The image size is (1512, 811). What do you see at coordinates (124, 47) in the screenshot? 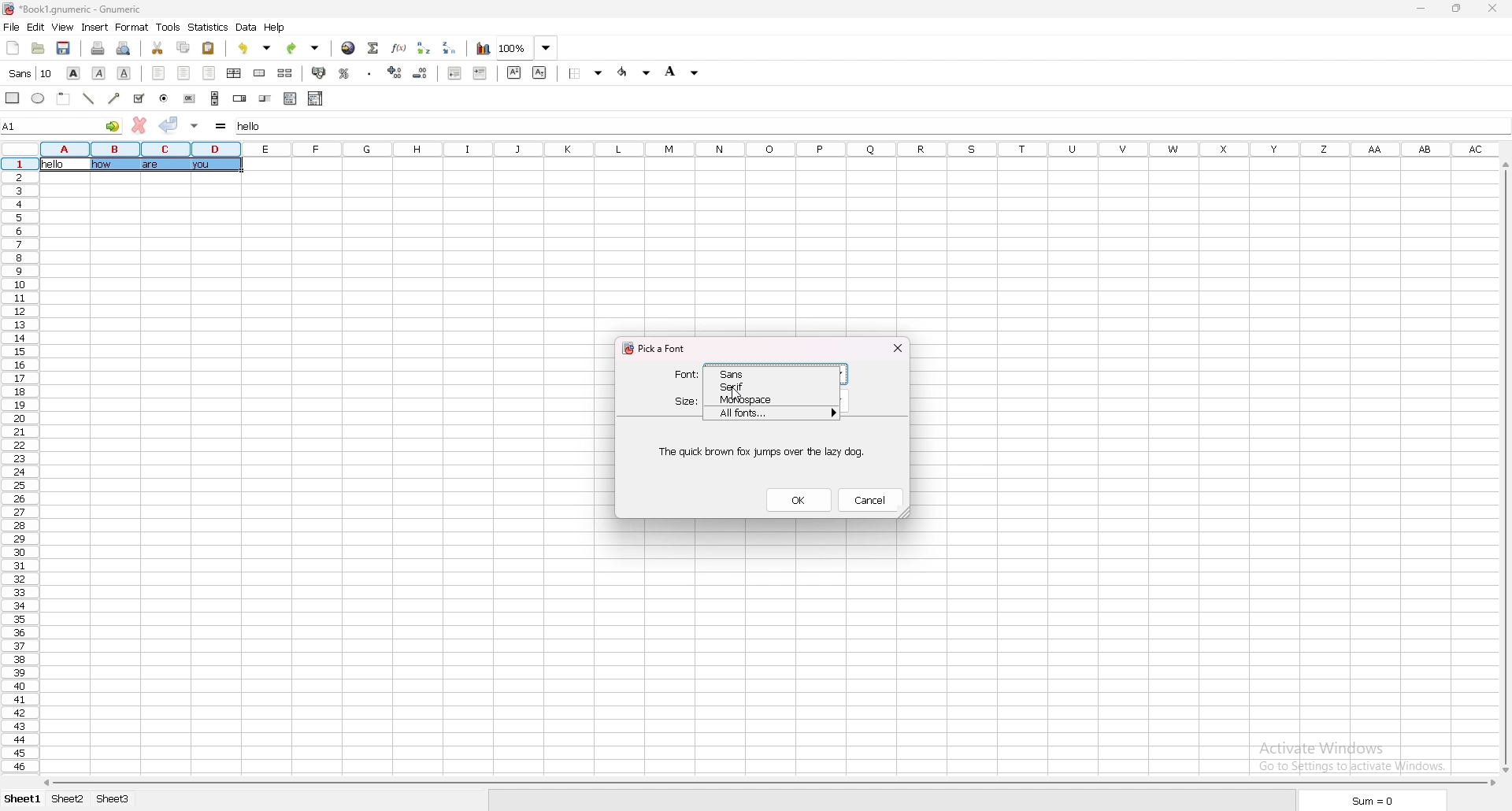
I see `print preview` at bounding box center [124, 47].